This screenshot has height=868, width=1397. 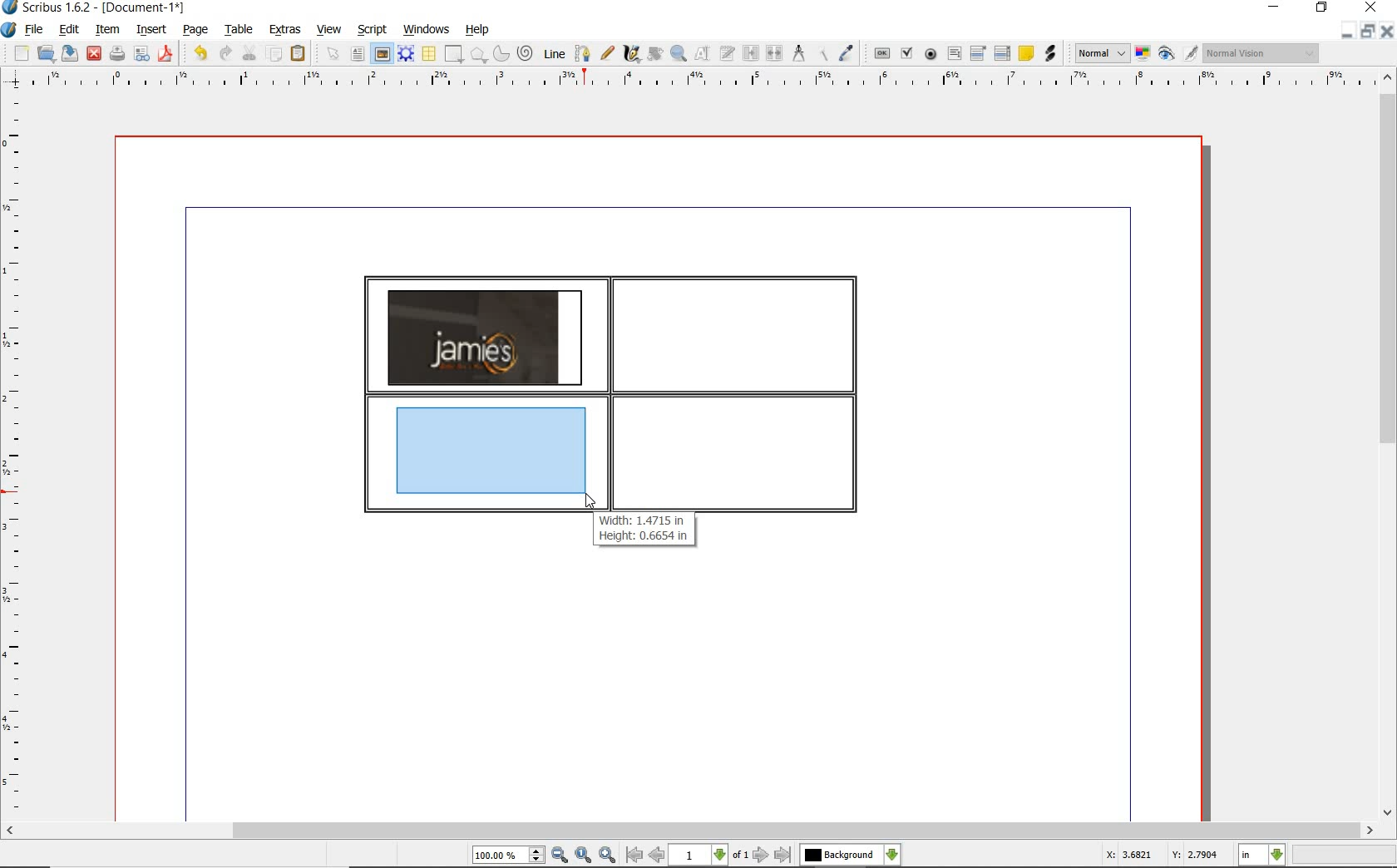 What do you see at coordinates (479, 56) in the screenshot?
I see `shape` at bounding box center [479, 56].